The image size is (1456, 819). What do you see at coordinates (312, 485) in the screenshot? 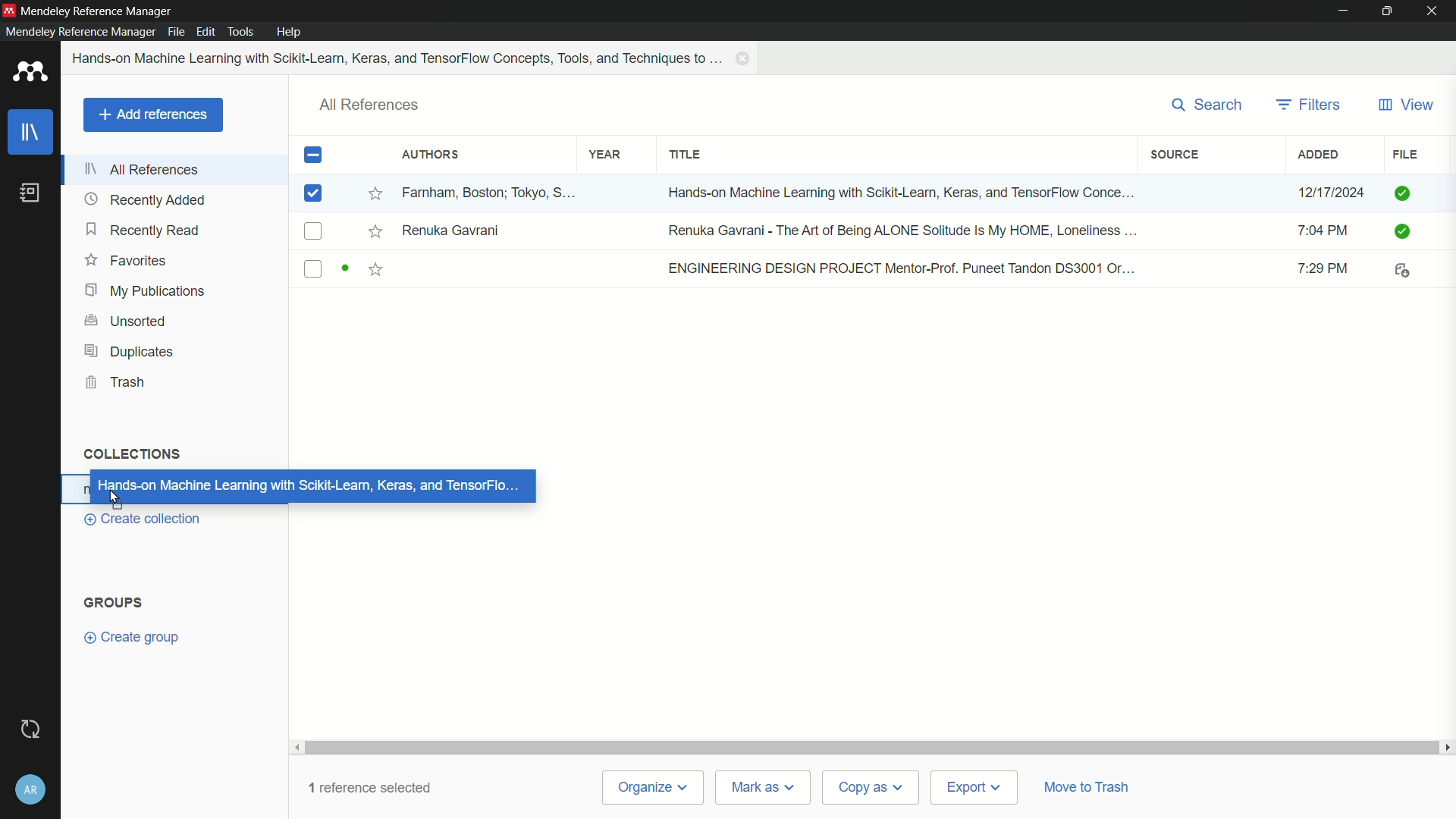
I see `moving reference to collection` at bounding box center [312, 485].